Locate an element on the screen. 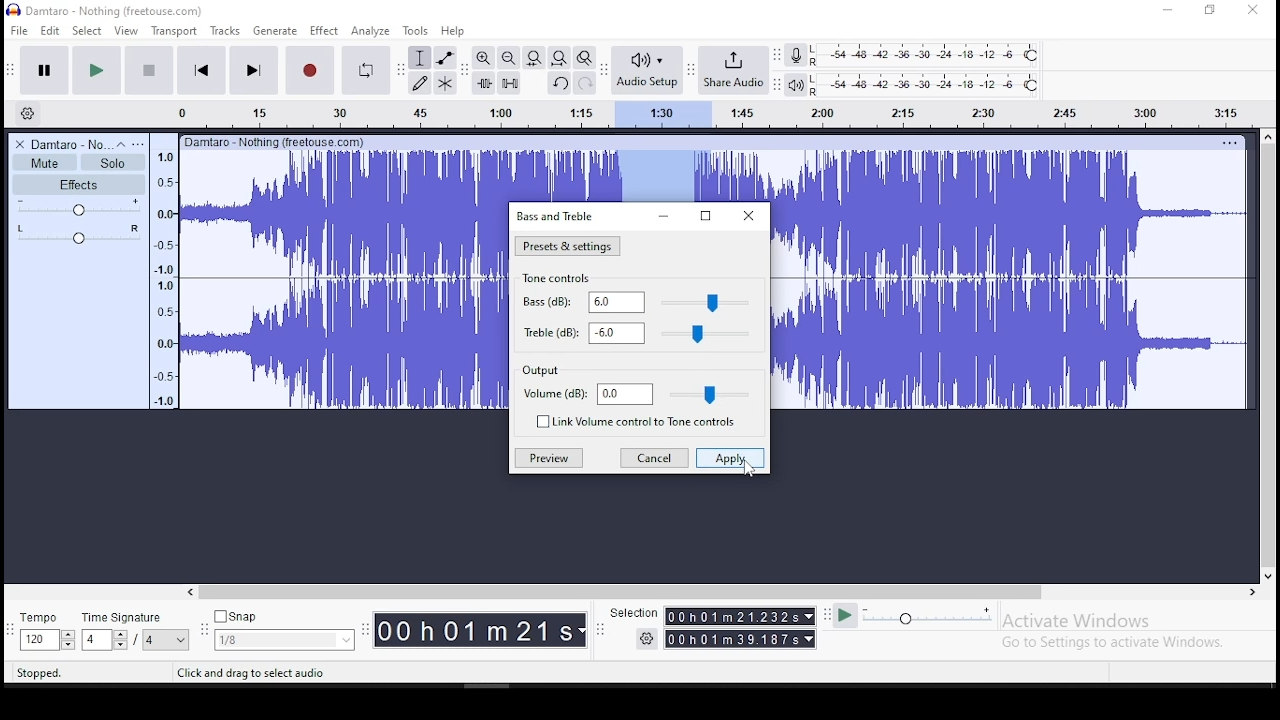  audio setup is located at coordinates (646, 68).